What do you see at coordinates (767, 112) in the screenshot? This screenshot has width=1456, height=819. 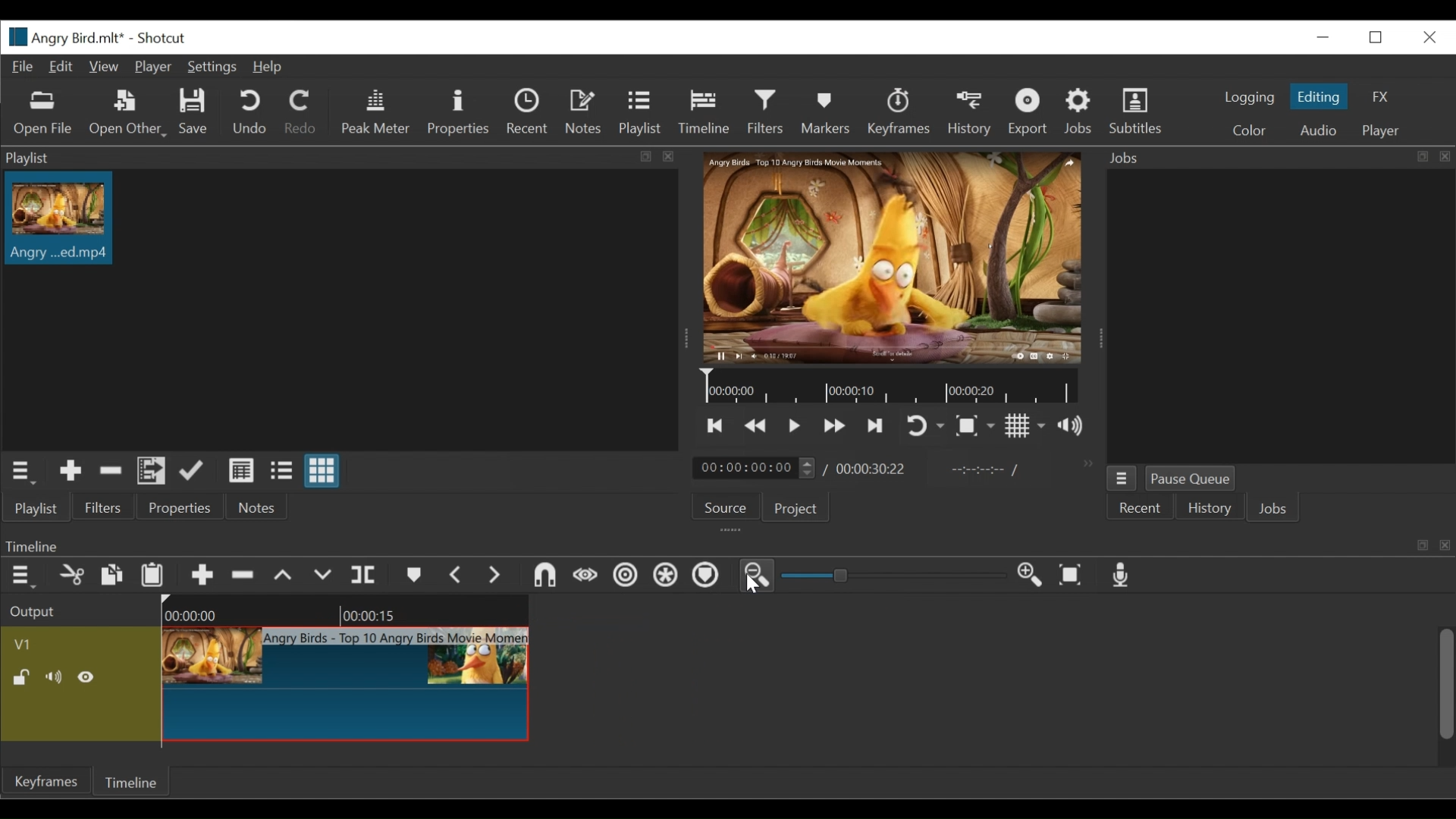 I see `Filters` at bounding box center [767, 112].